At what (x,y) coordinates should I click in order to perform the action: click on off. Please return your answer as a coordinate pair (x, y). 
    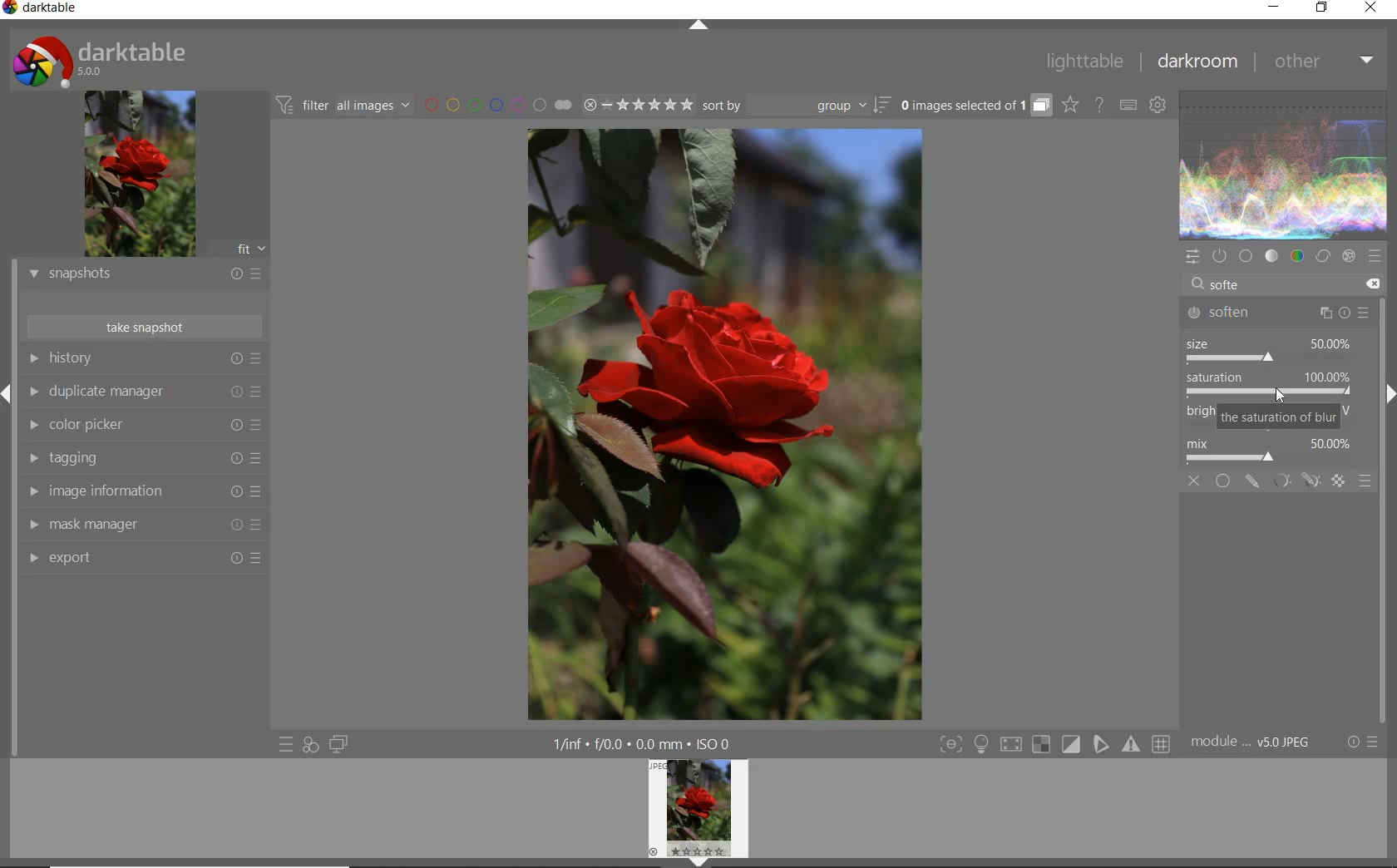
    Looking at the image, I should click on (1194, 481).